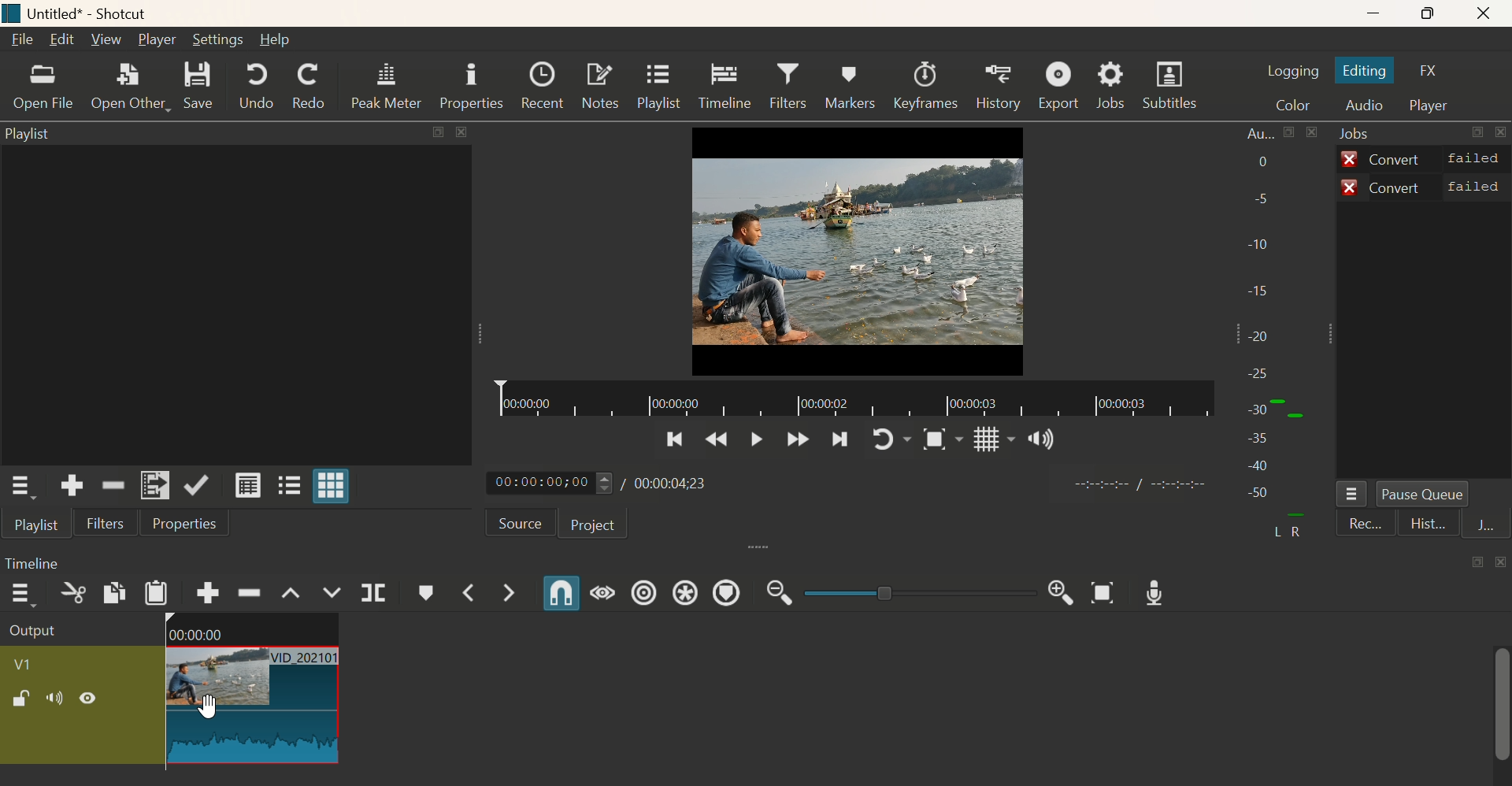 Image resolution: width=1512 pixels, height=786 pixels. What do you see at coordinates (155, 485) in the screenshot?
I see `Add to Playlist` at bounding box center [155, 485].